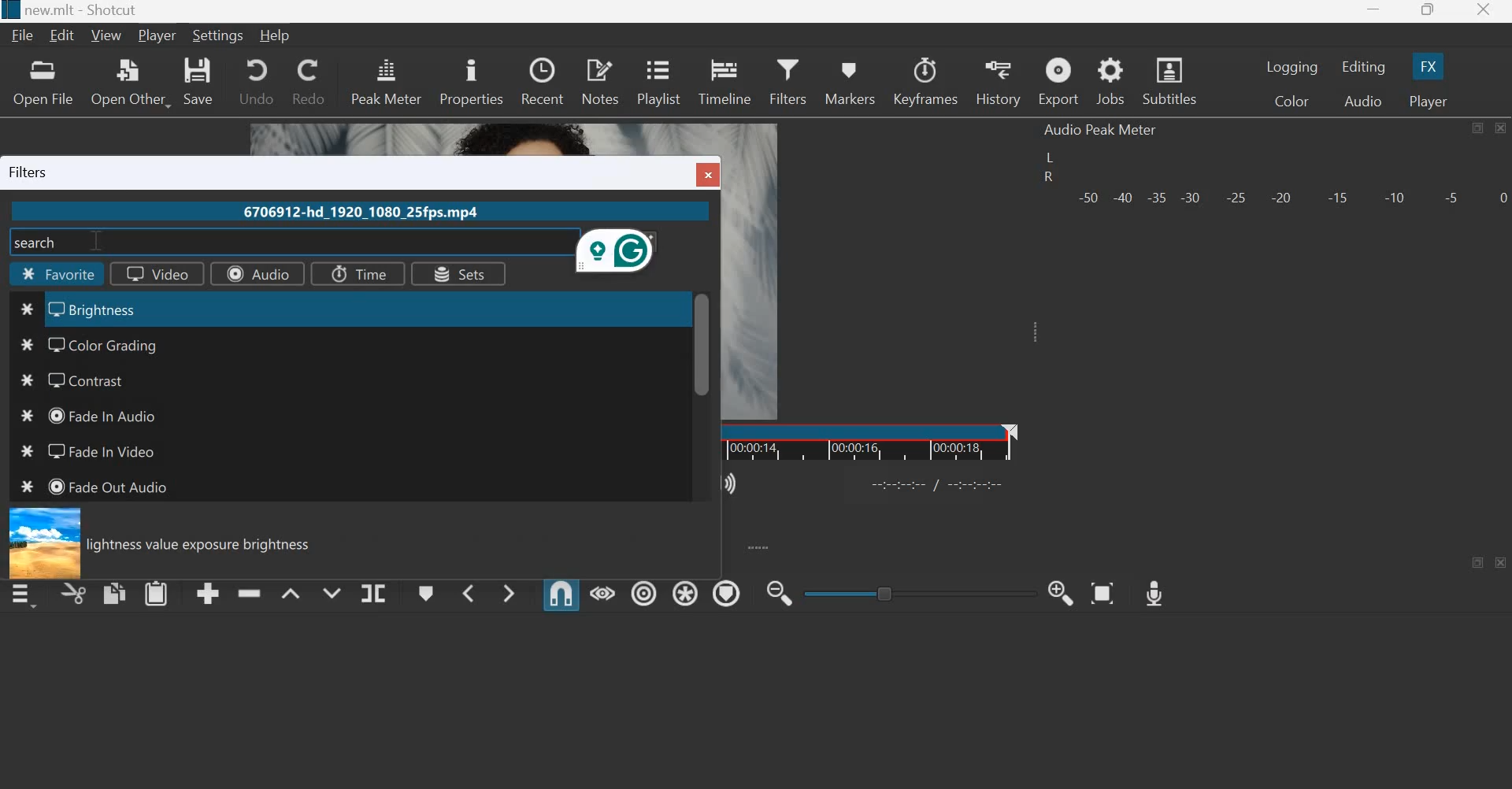  I want to click on Zoom Timeline to Fit, so click(1103, 589).